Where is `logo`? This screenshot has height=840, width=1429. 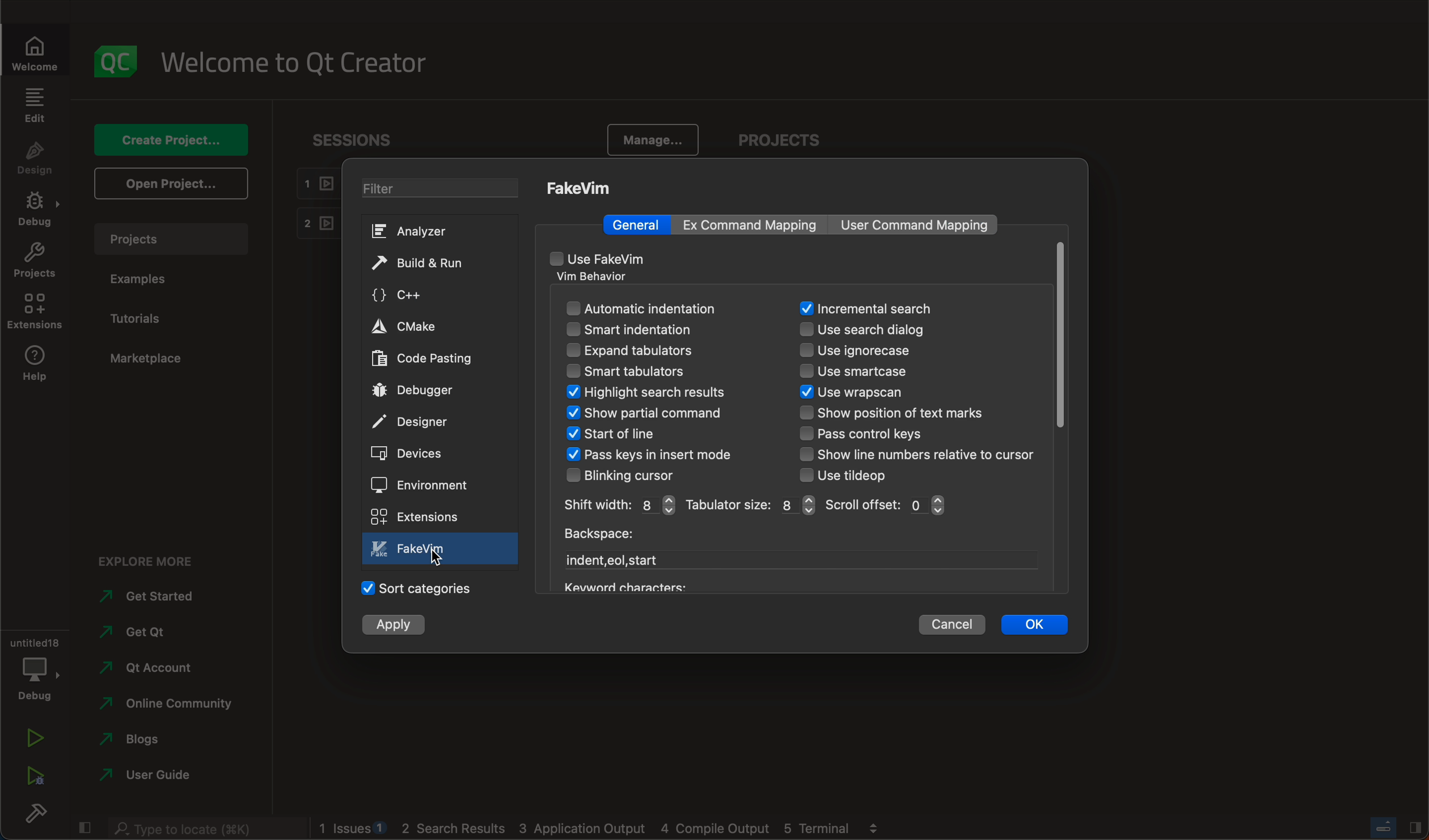 logo is located at coordinates (113, 61).